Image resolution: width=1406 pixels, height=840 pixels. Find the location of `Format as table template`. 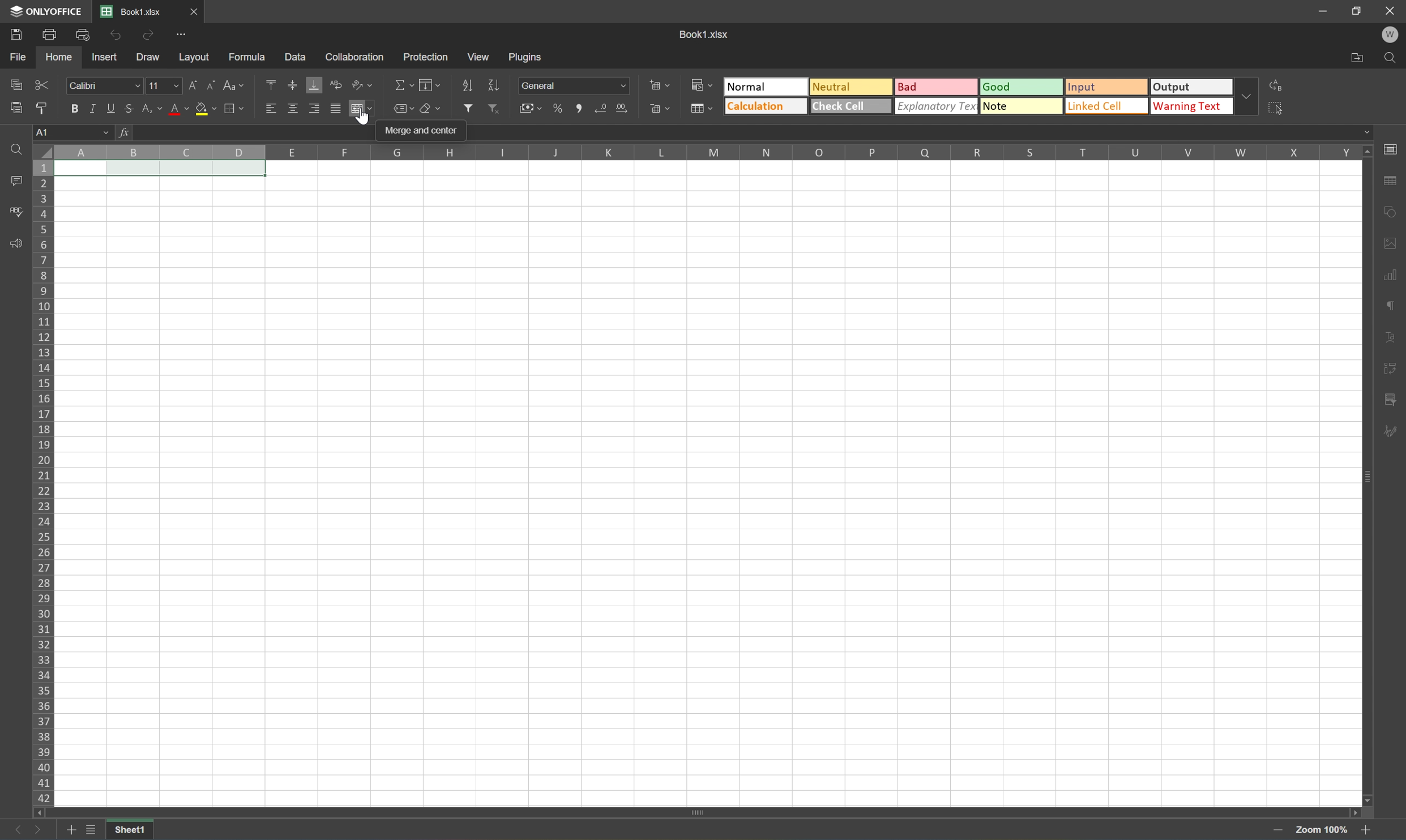

Format as table template is located at coordinates (700, 107).